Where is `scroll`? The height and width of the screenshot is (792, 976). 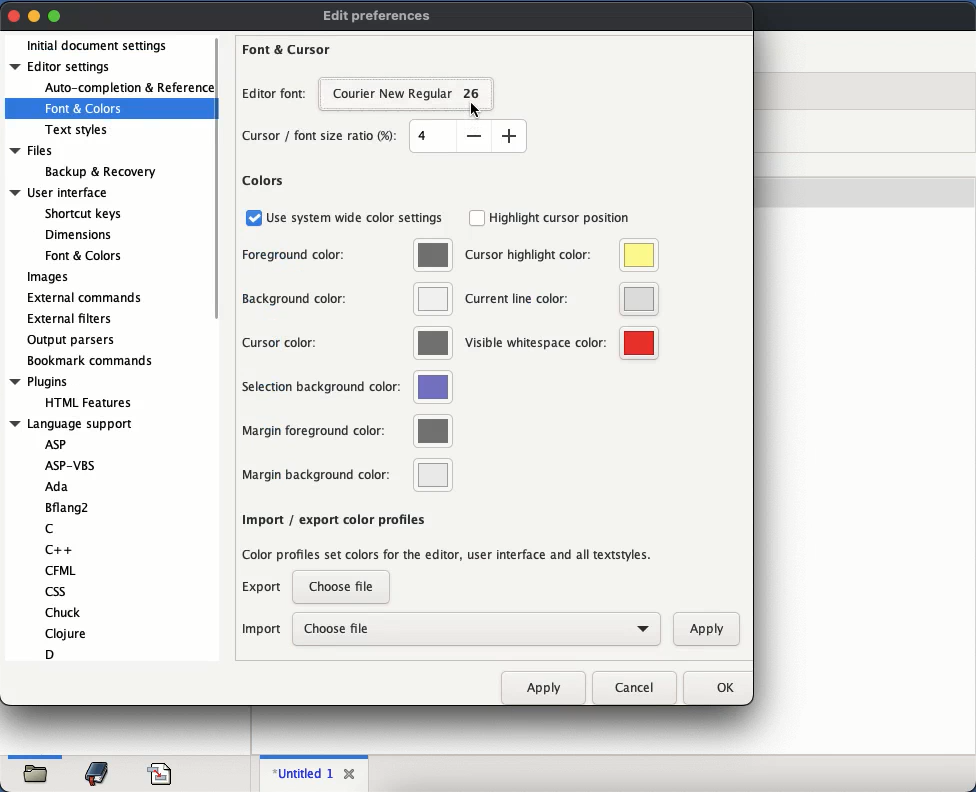
scroll is located at coordinates (220, 181).